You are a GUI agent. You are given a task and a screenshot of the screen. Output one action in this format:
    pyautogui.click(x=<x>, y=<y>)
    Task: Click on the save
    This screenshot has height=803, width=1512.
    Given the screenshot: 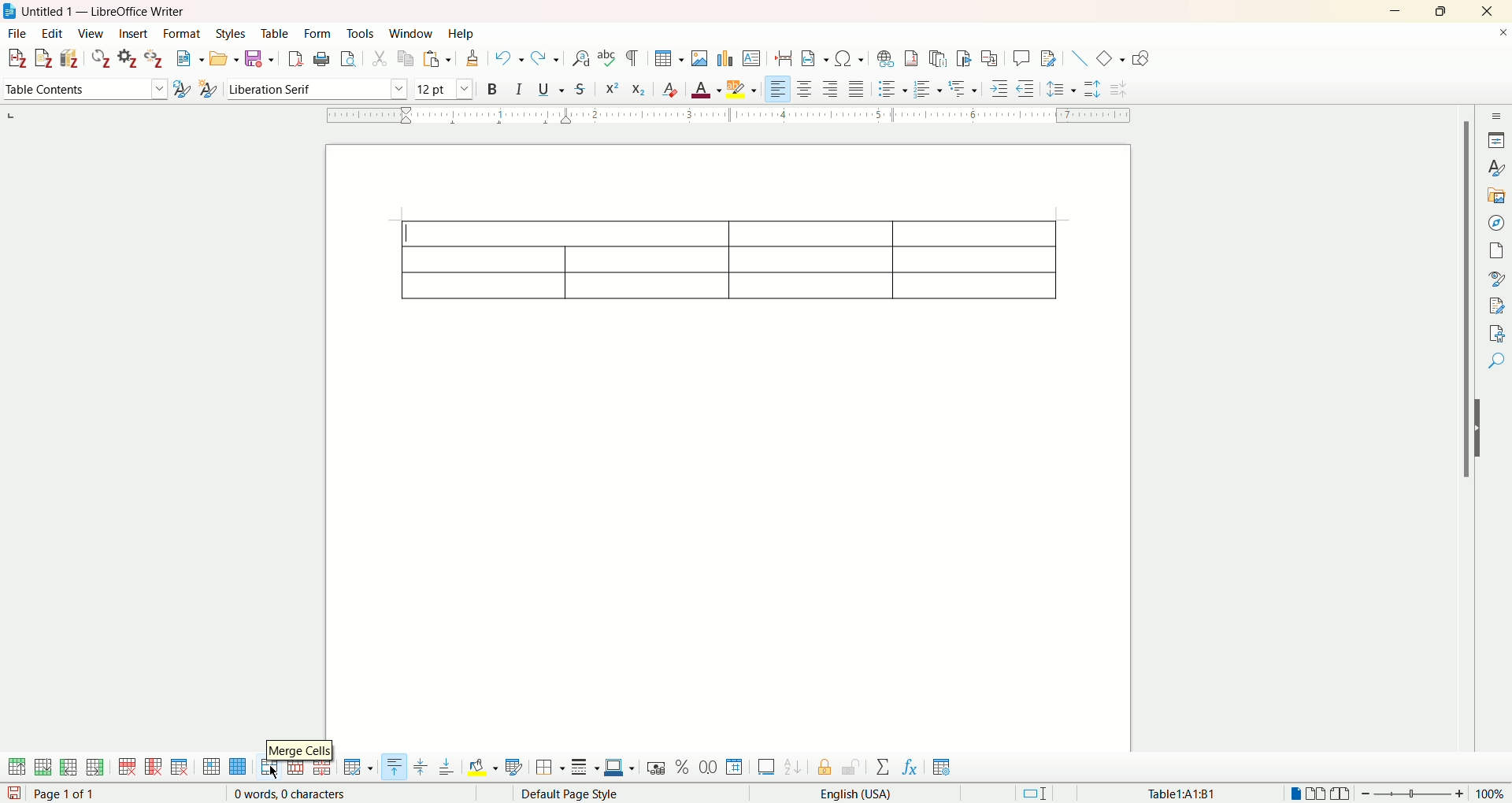 What is the action you would take?
    pyautogui.click(x=13, y=793)
    